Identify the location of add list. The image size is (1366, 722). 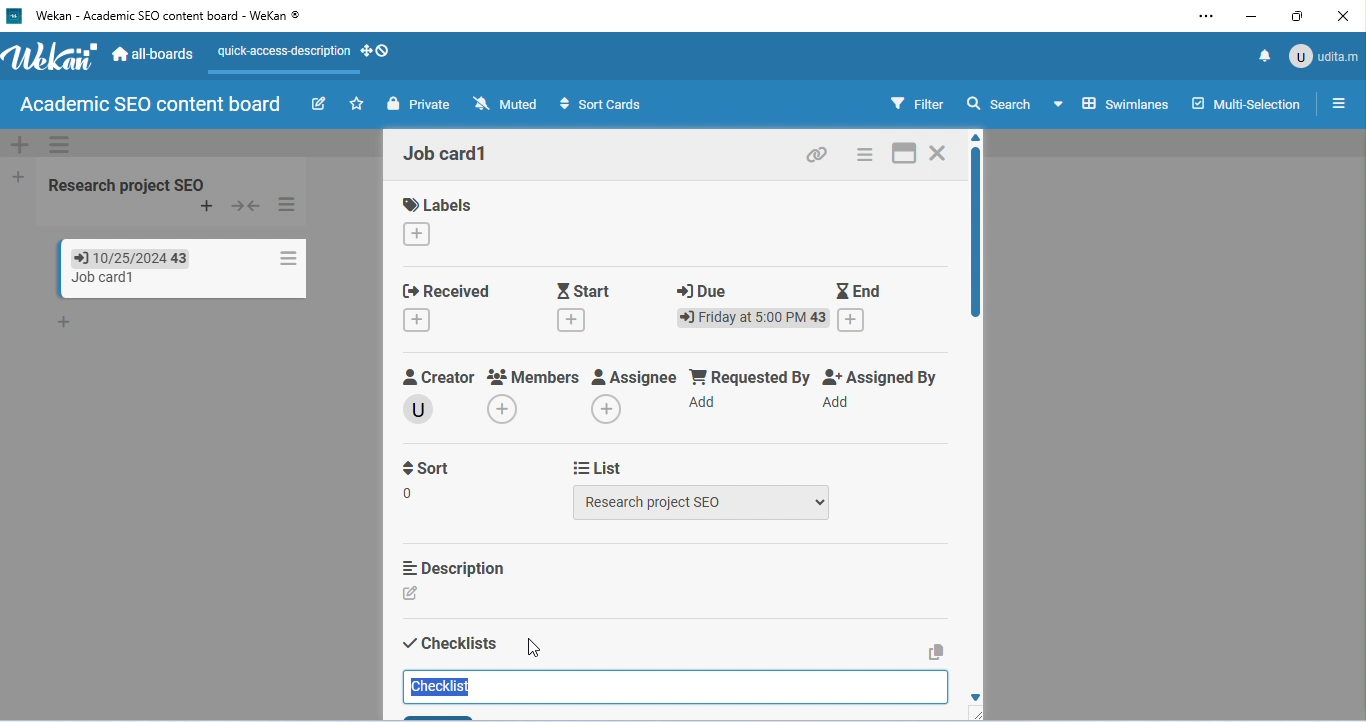
(15, 175).